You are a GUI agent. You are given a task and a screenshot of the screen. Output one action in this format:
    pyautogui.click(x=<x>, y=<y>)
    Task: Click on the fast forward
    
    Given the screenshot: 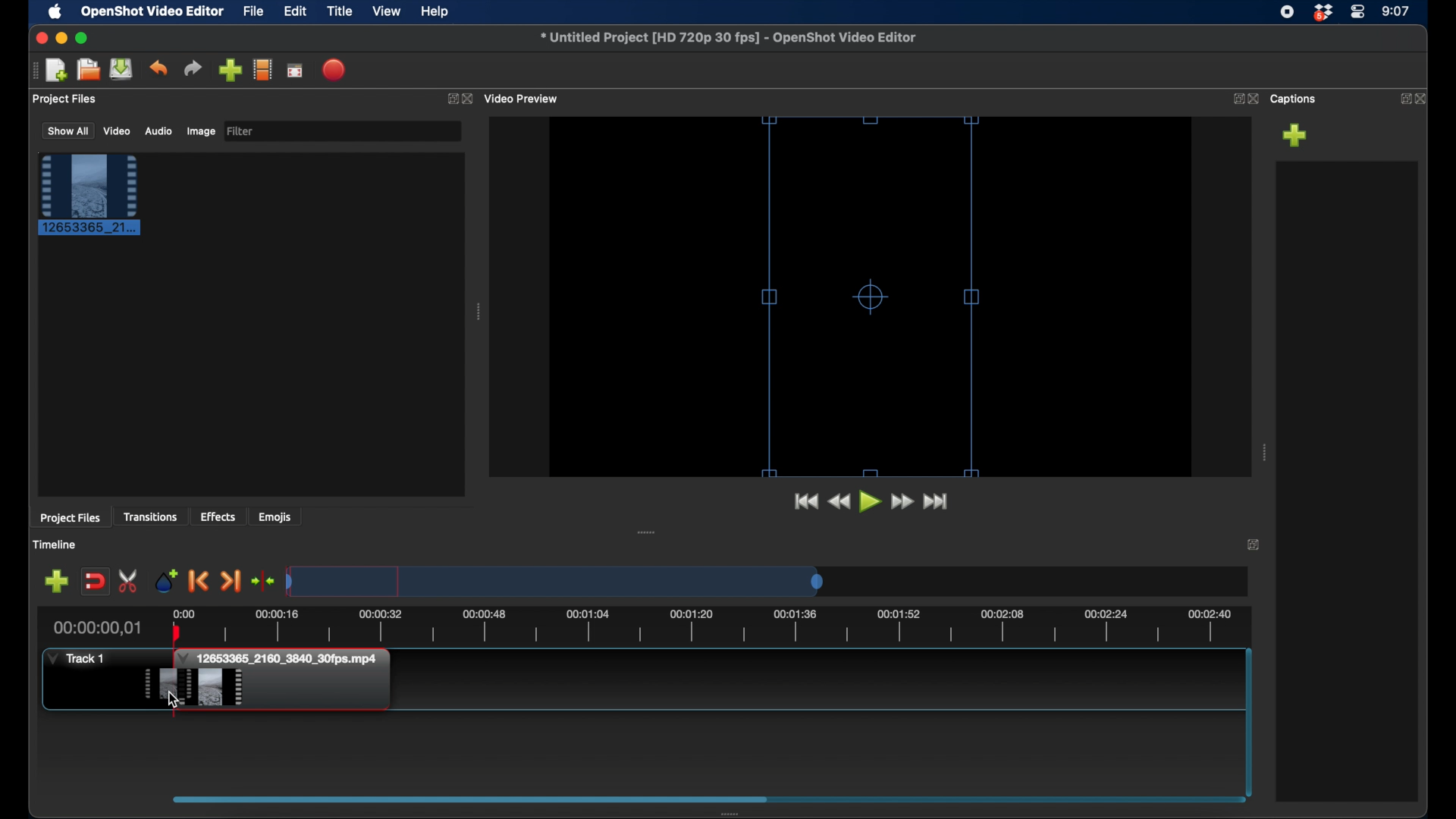 What is the action you would take?
    pyautogui.click(x=937, y=501)
    